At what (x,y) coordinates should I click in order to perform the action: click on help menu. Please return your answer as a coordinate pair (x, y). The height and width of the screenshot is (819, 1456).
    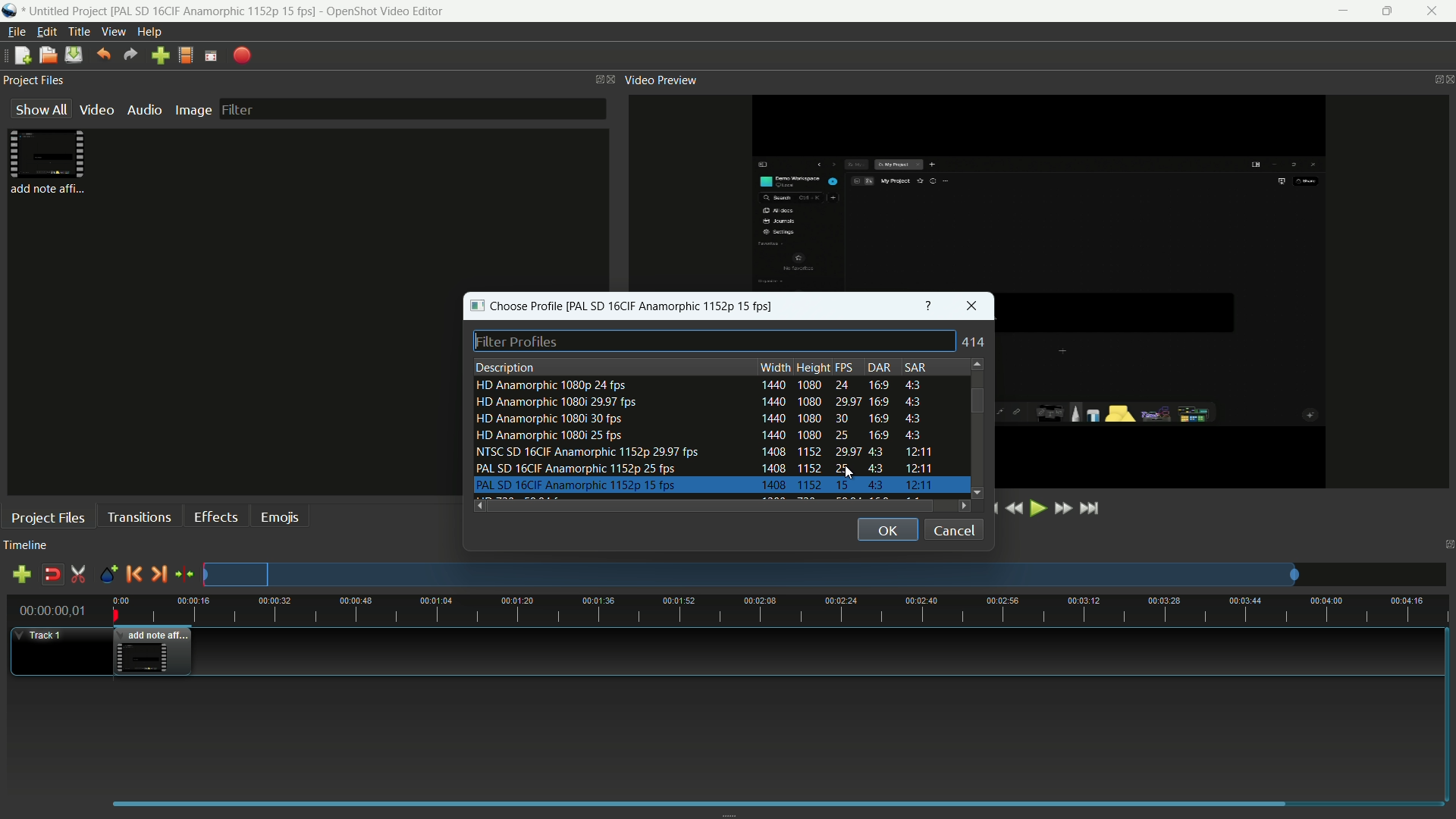
    Looking at the image, I should click on (151, 30).